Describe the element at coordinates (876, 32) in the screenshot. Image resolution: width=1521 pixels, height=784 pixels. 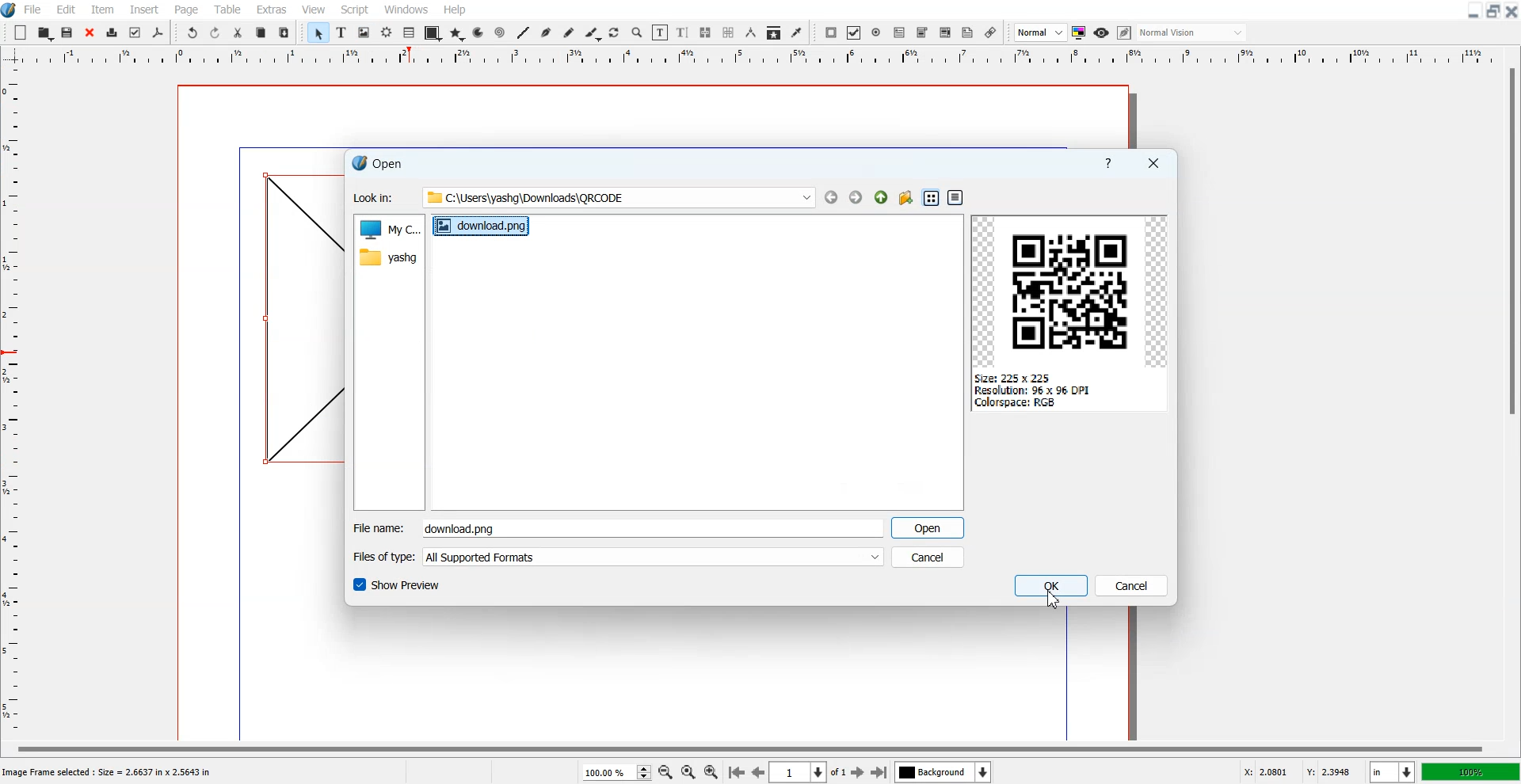
I see `PDF Radio Button` at that location.